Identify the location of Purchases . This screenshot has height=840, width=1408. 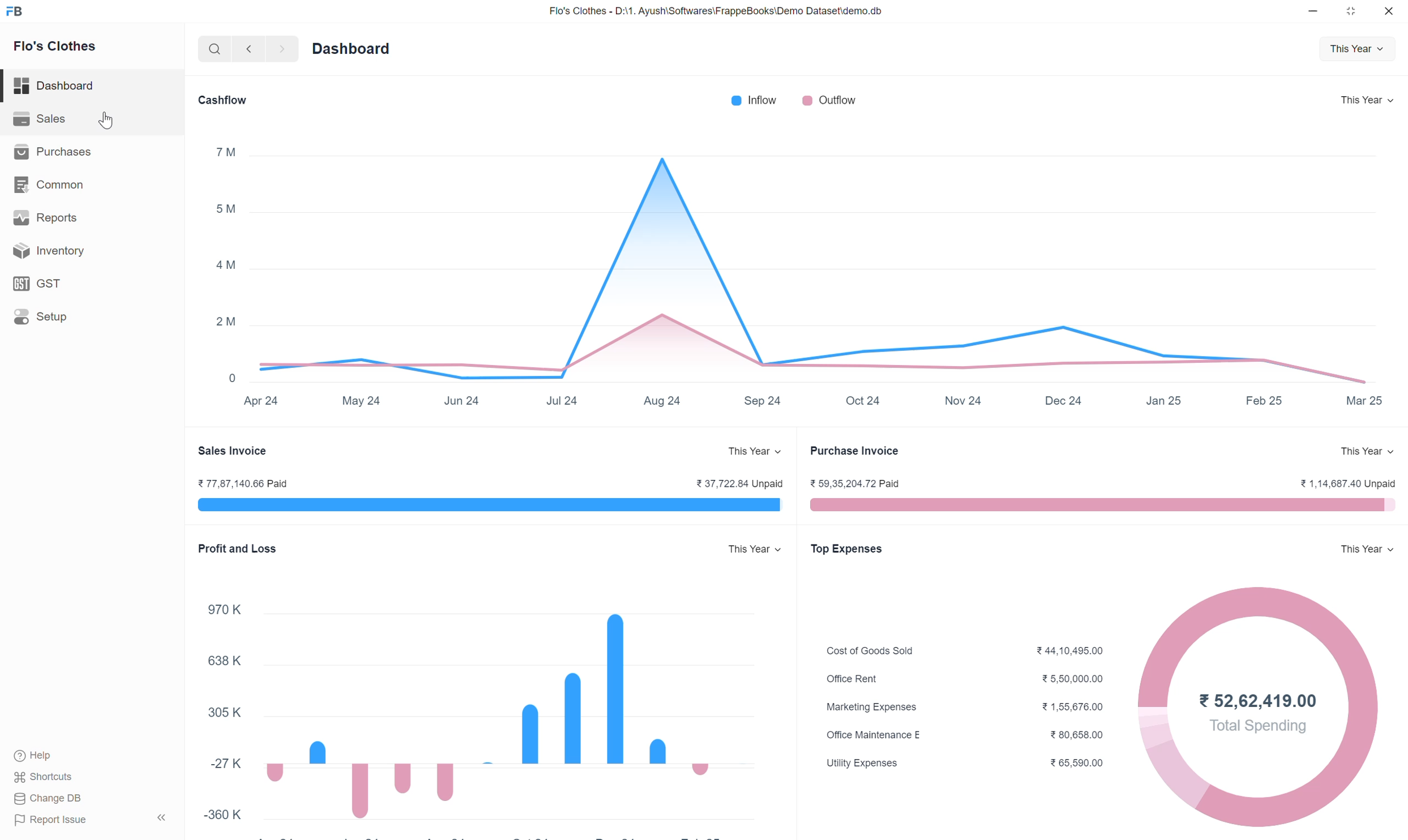
(64, 153).